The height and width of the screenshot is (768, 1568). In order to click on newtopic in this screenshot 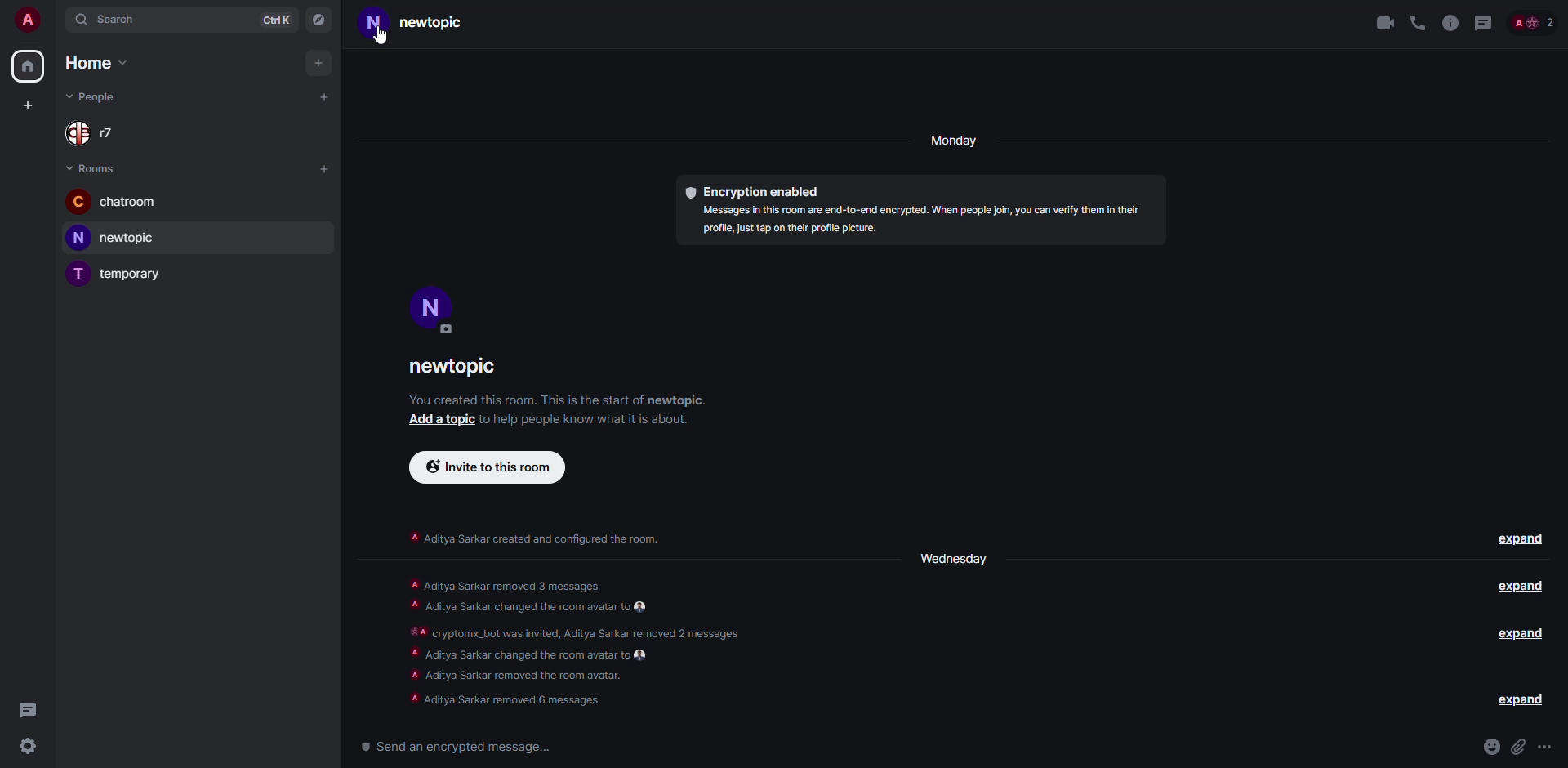, I will do `click(417, 25)`.